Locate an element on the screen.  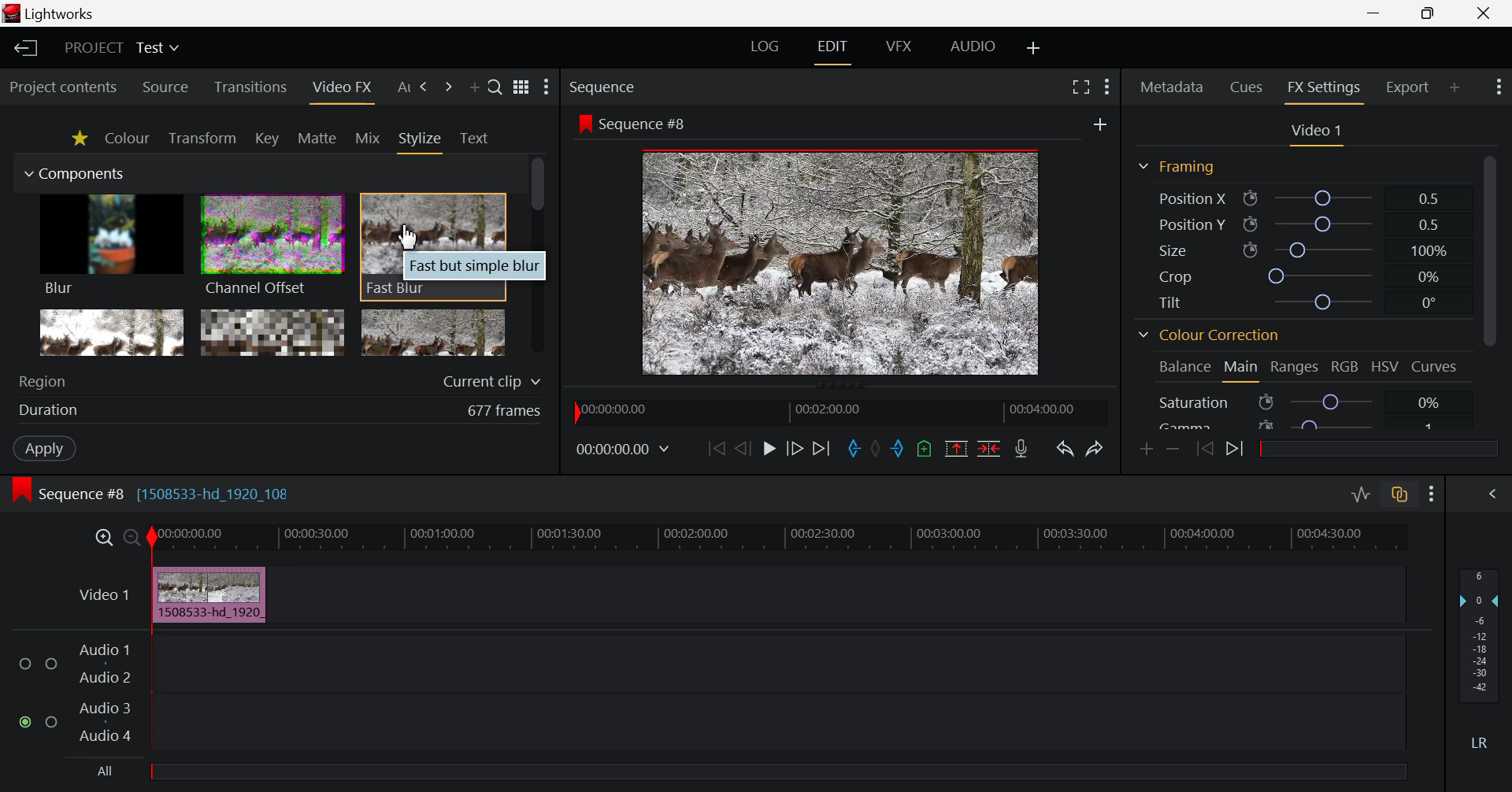
Search is located at coordinates (495, 87).